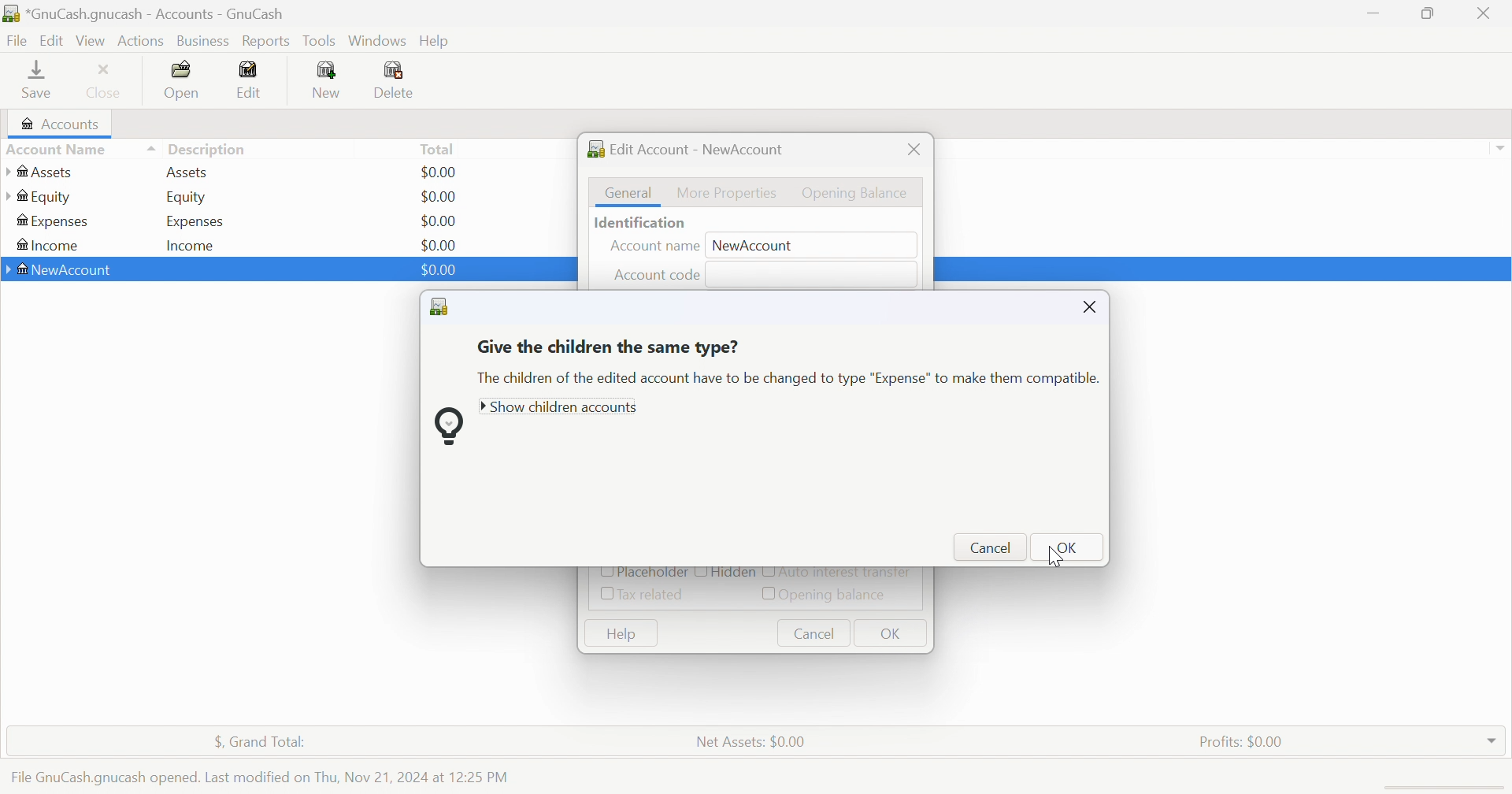  Describe the element at coordinates (439, 41) in the screenshot. I see `Help` at that location.